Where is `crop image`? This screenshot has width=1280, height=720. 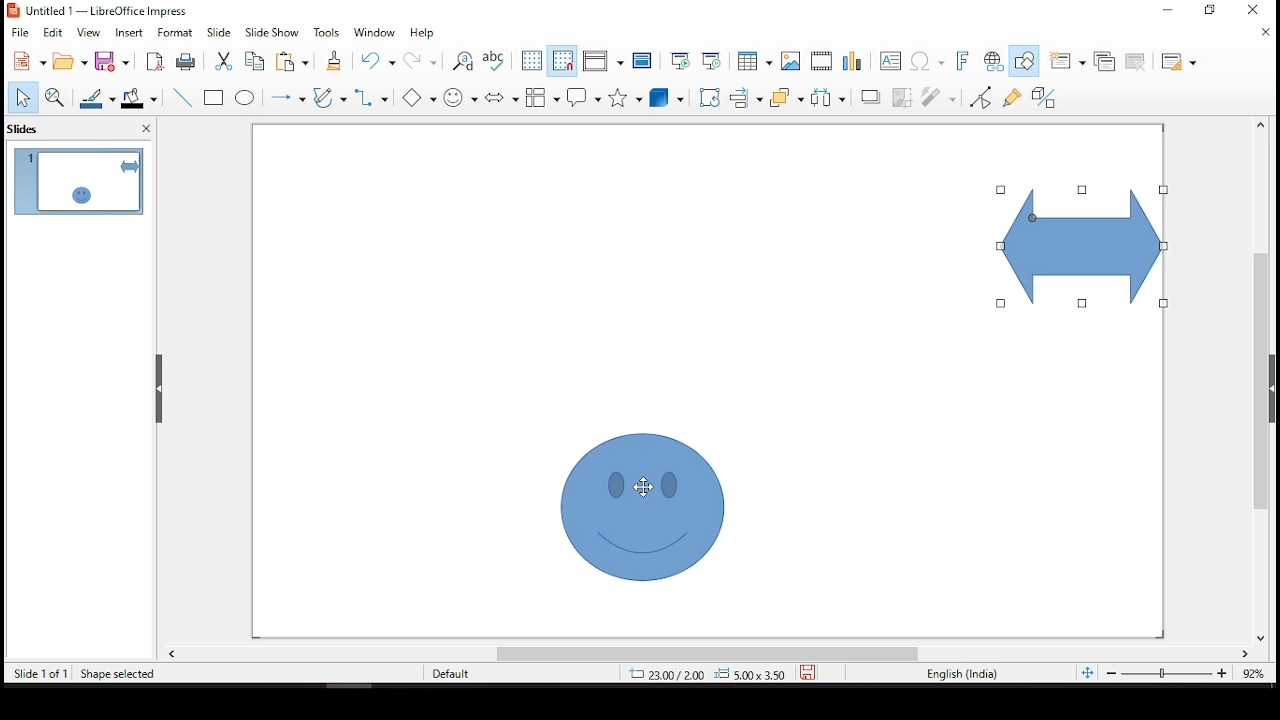 crop image is located at coordinates (898, 96).